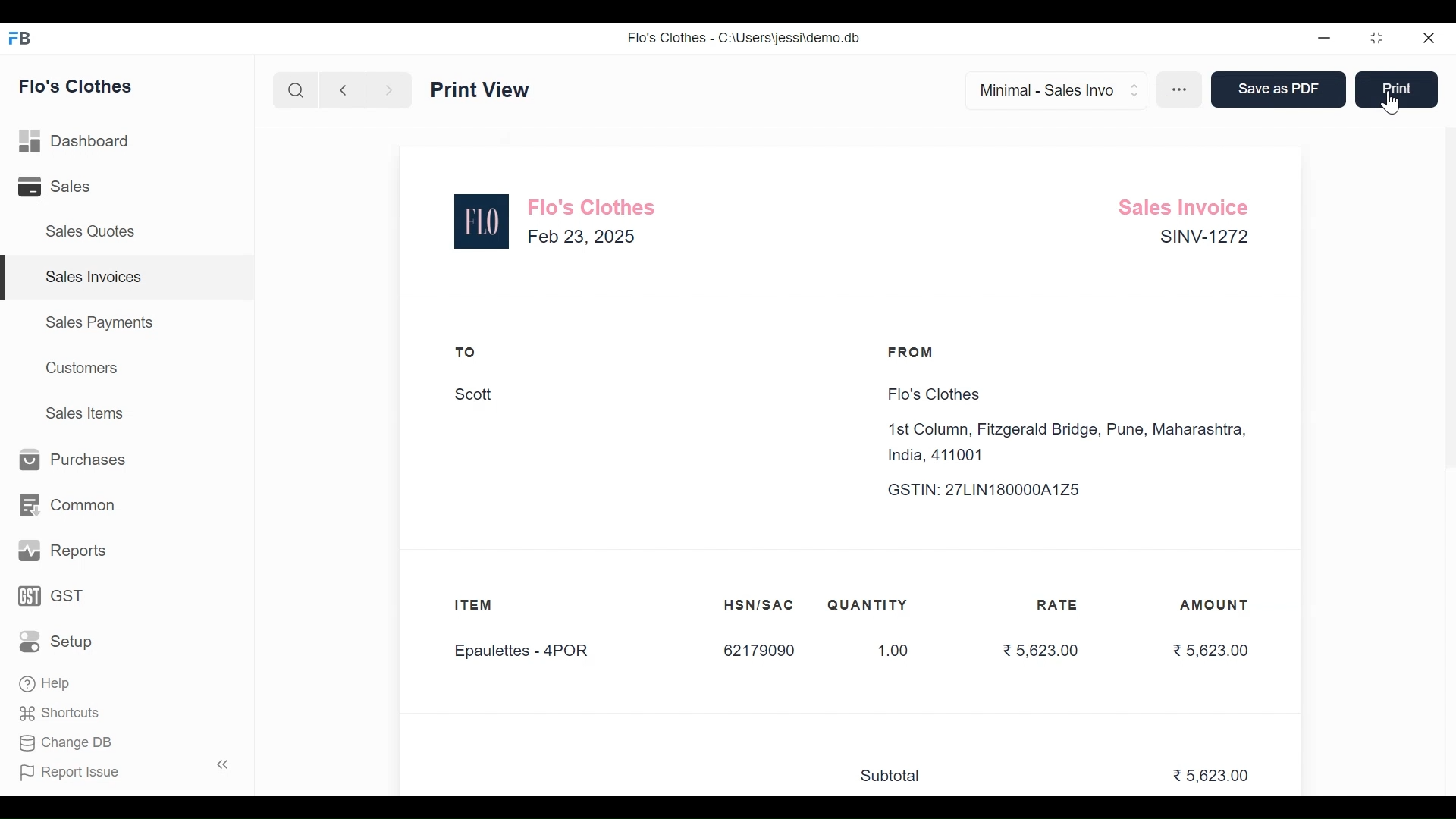 The image size is (1456, 819). Describe the element at coordinates (120, 771) in the screenshot. I see `Report Issue` at that location.